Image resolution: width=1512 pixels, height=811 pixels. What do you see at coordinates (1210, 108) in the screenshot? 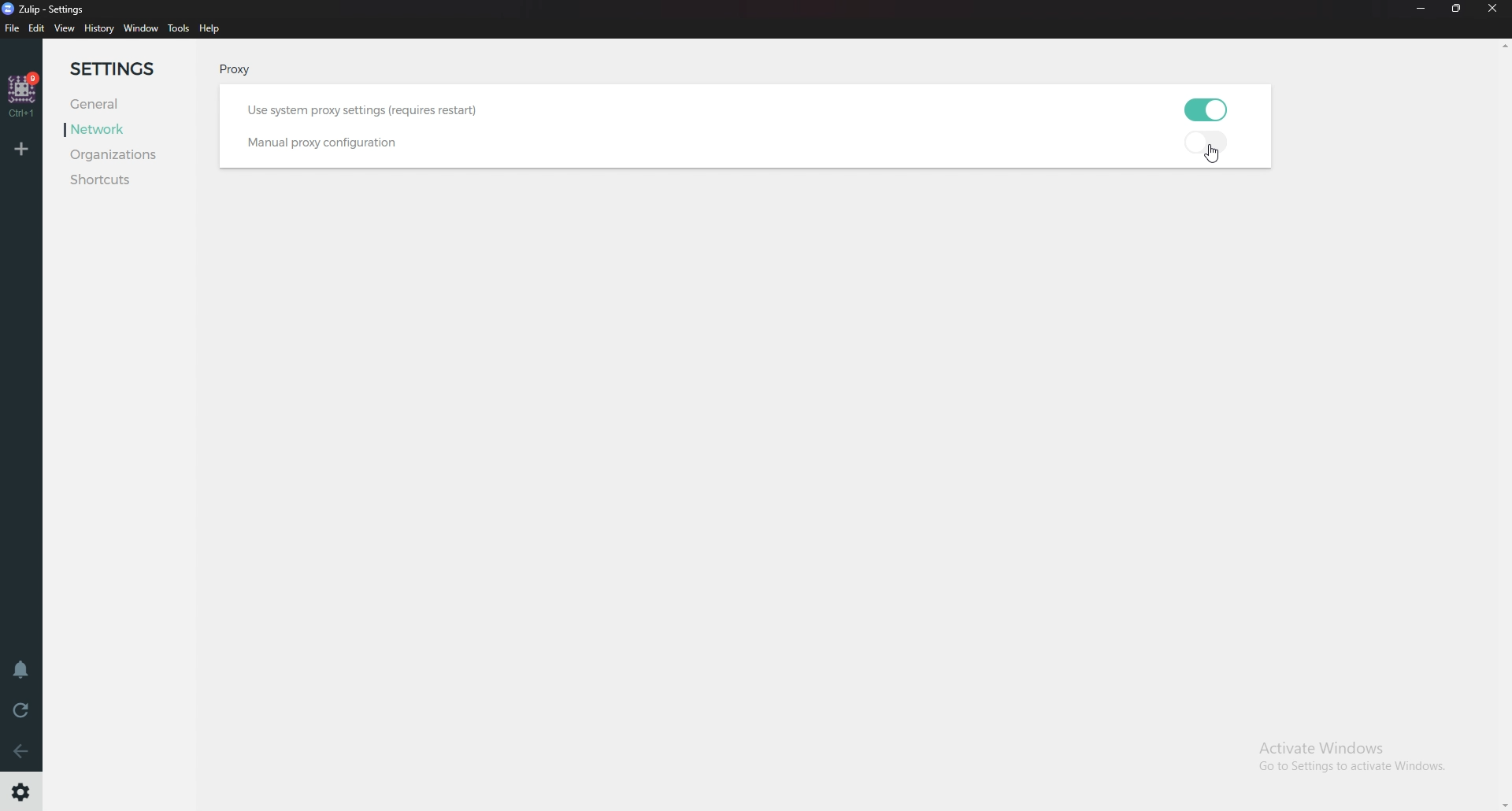
I see `toggle` at bounding box center [1210, 108].